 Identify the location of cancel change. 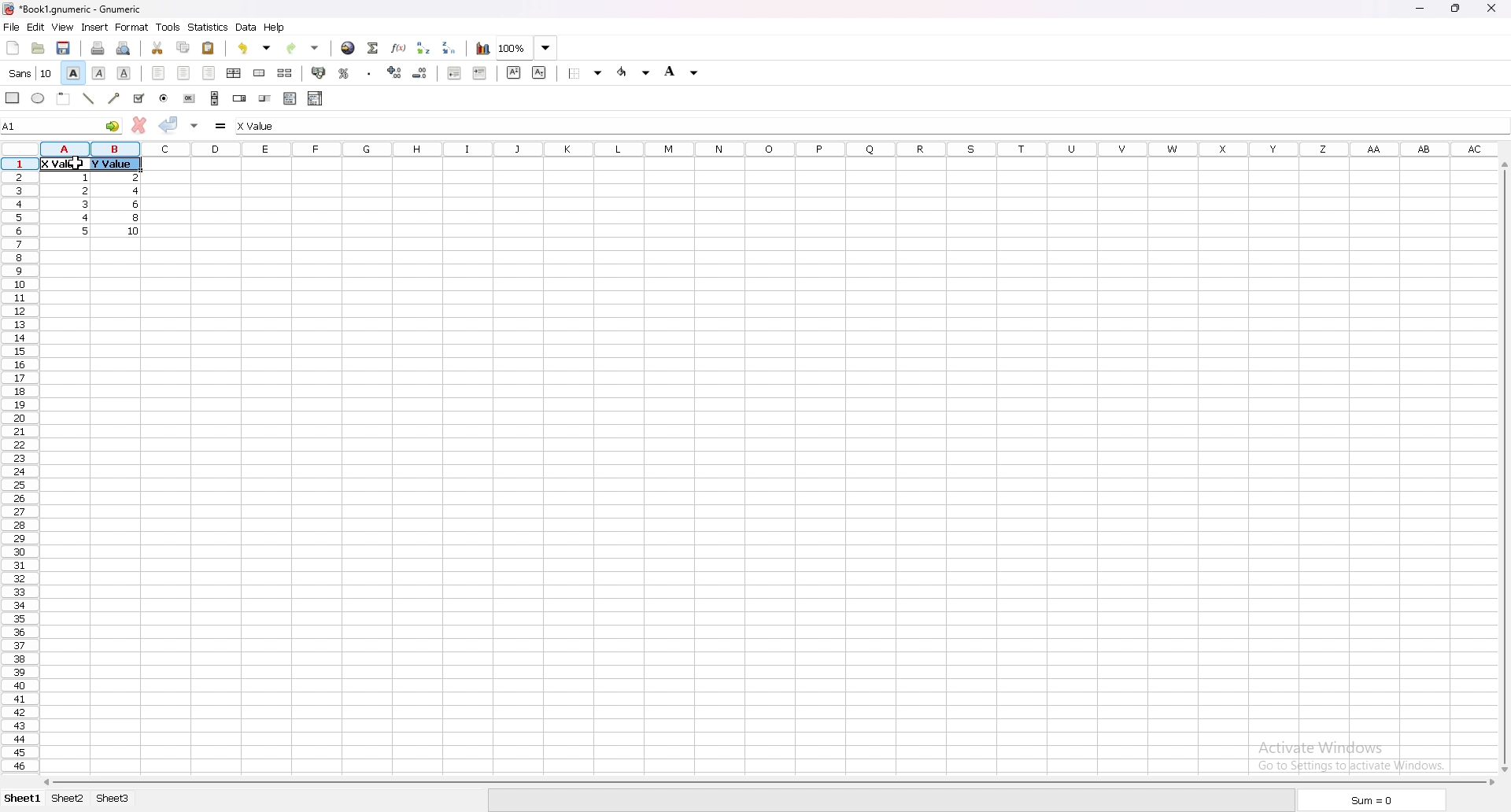
(140, 125).